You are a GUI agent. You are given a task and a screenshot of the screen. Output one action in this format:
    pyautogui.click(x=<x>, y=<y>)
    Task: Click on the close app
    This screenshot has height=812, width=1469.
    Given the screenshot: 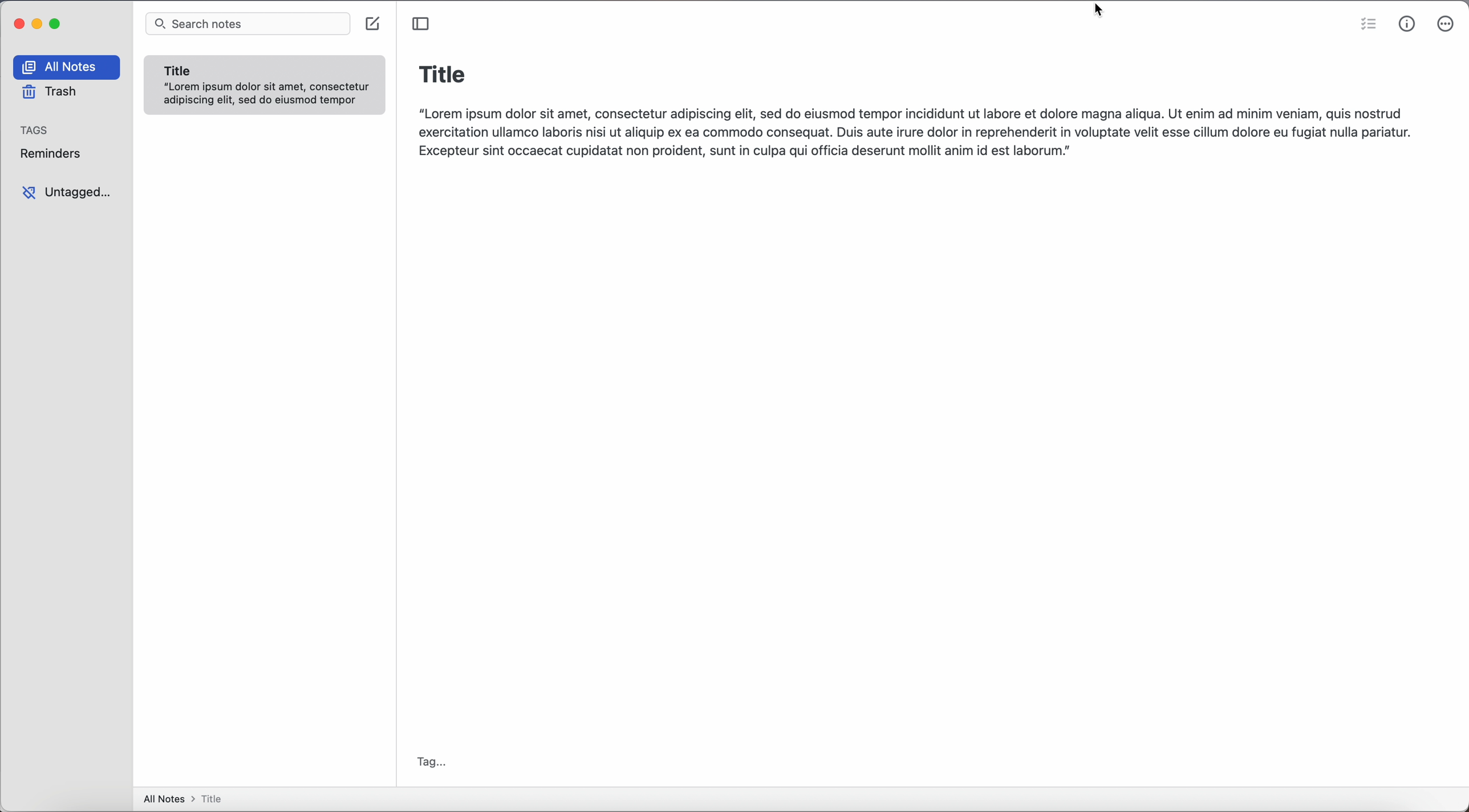 What is the action you would take?
    pyautogui.click(x=17, y=22)
    